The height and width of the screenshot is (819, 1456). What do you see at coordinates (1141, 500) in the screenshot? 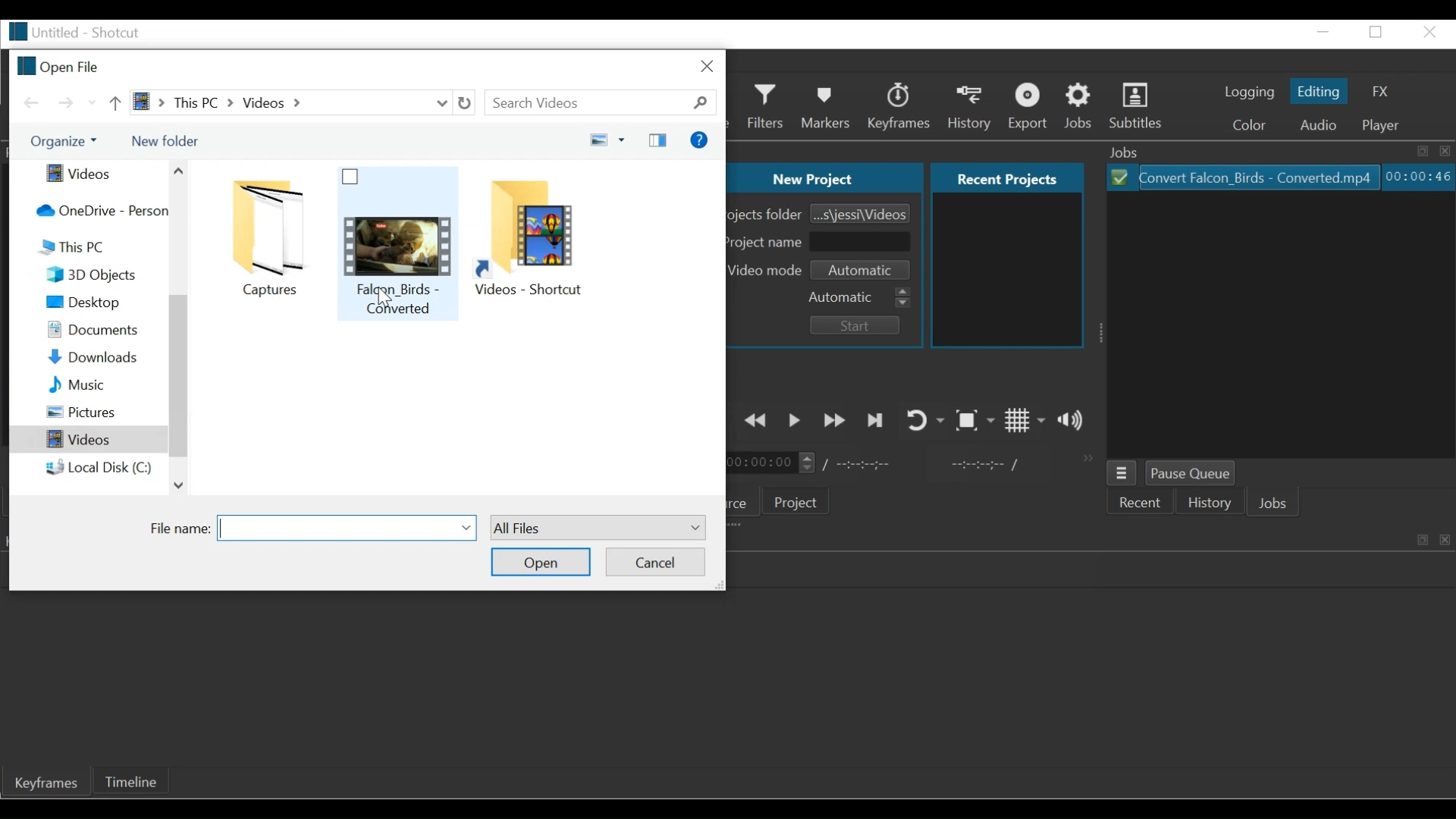
I see `Recent` at bounding box center [1141, 500].